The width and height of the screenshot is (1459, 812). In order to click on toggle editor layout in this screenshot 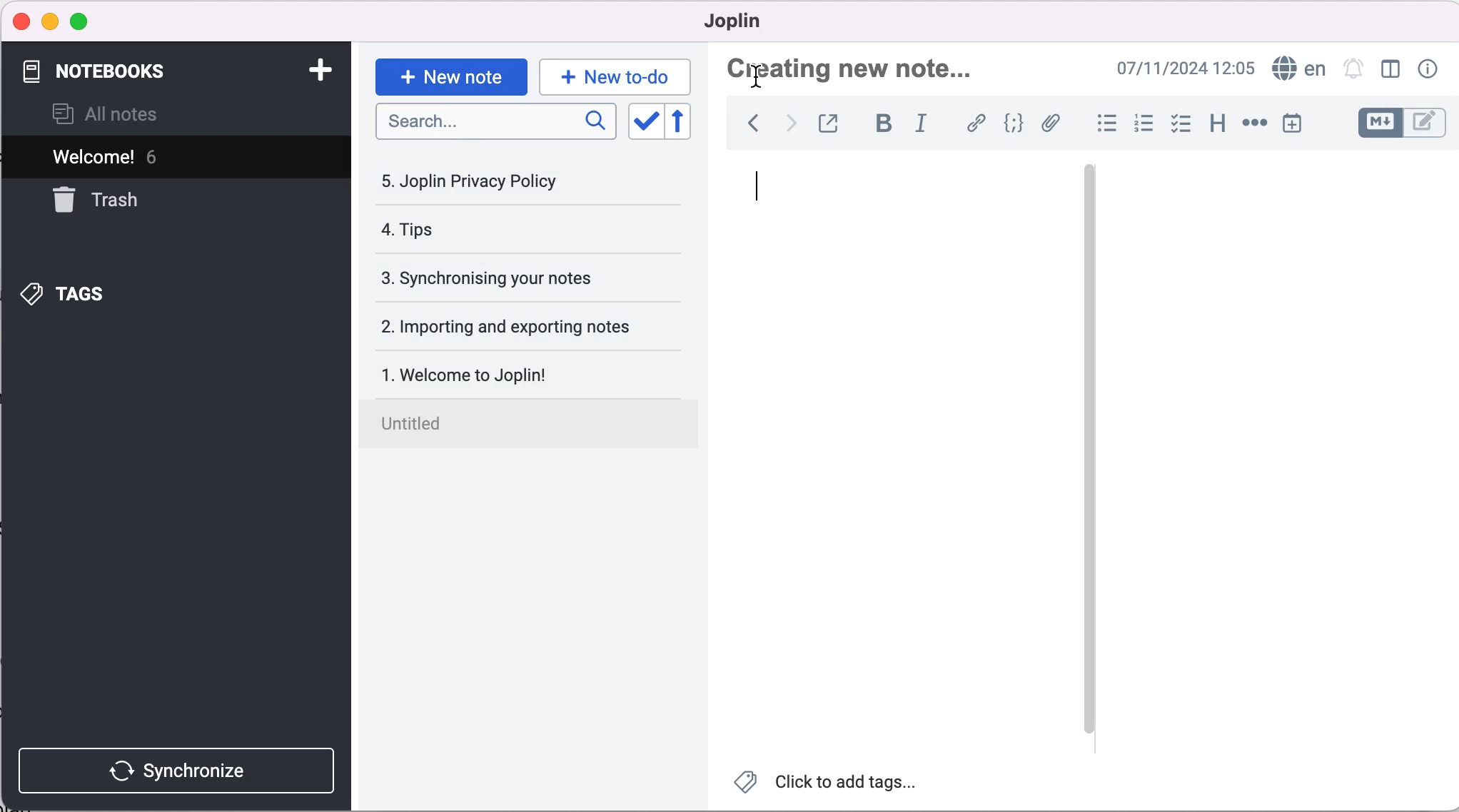, I will do `click(1390, 69)`.